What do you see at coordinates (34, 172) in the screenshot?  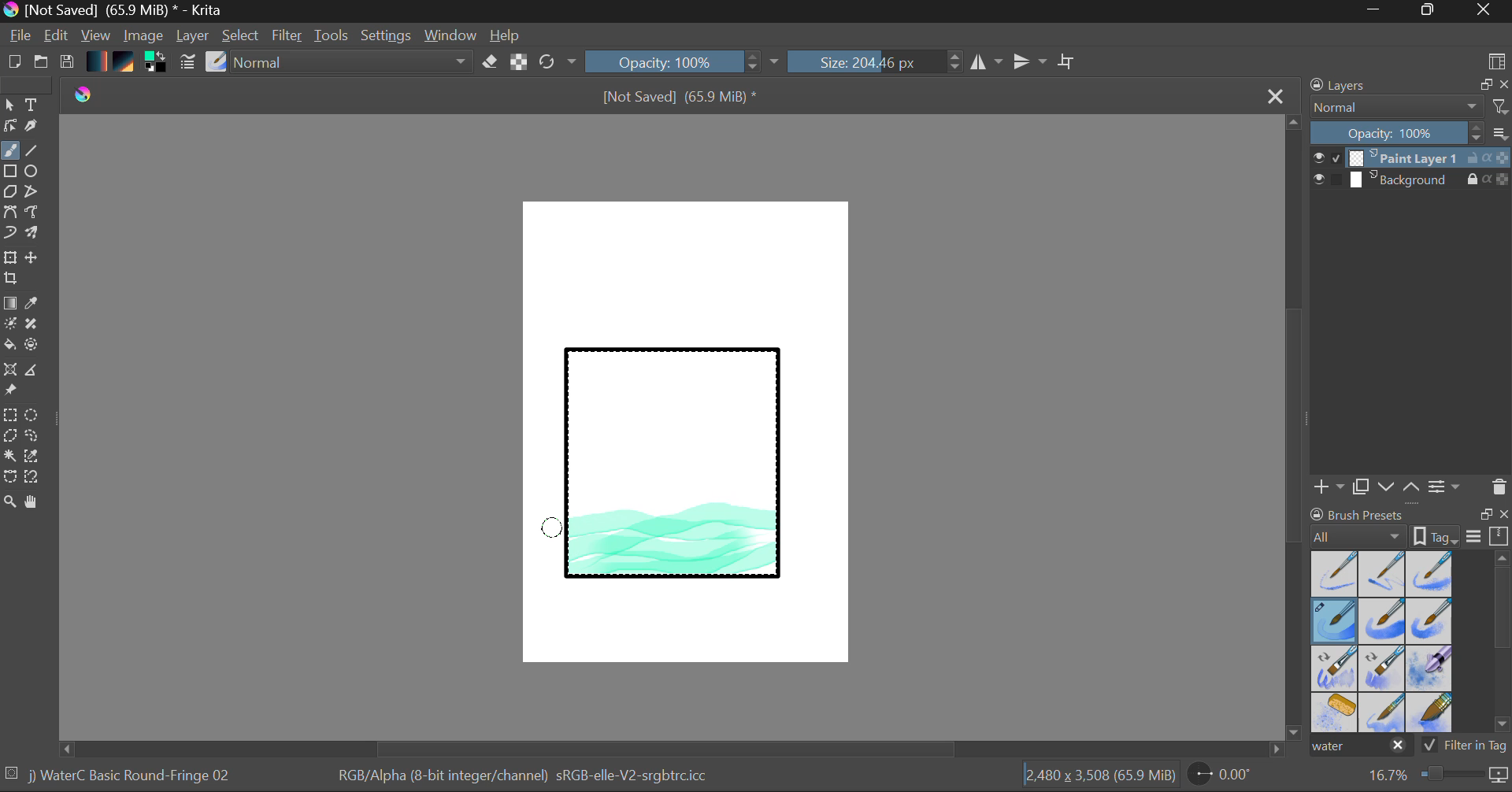 I see `Elipses` at bounding box center [34, 172].